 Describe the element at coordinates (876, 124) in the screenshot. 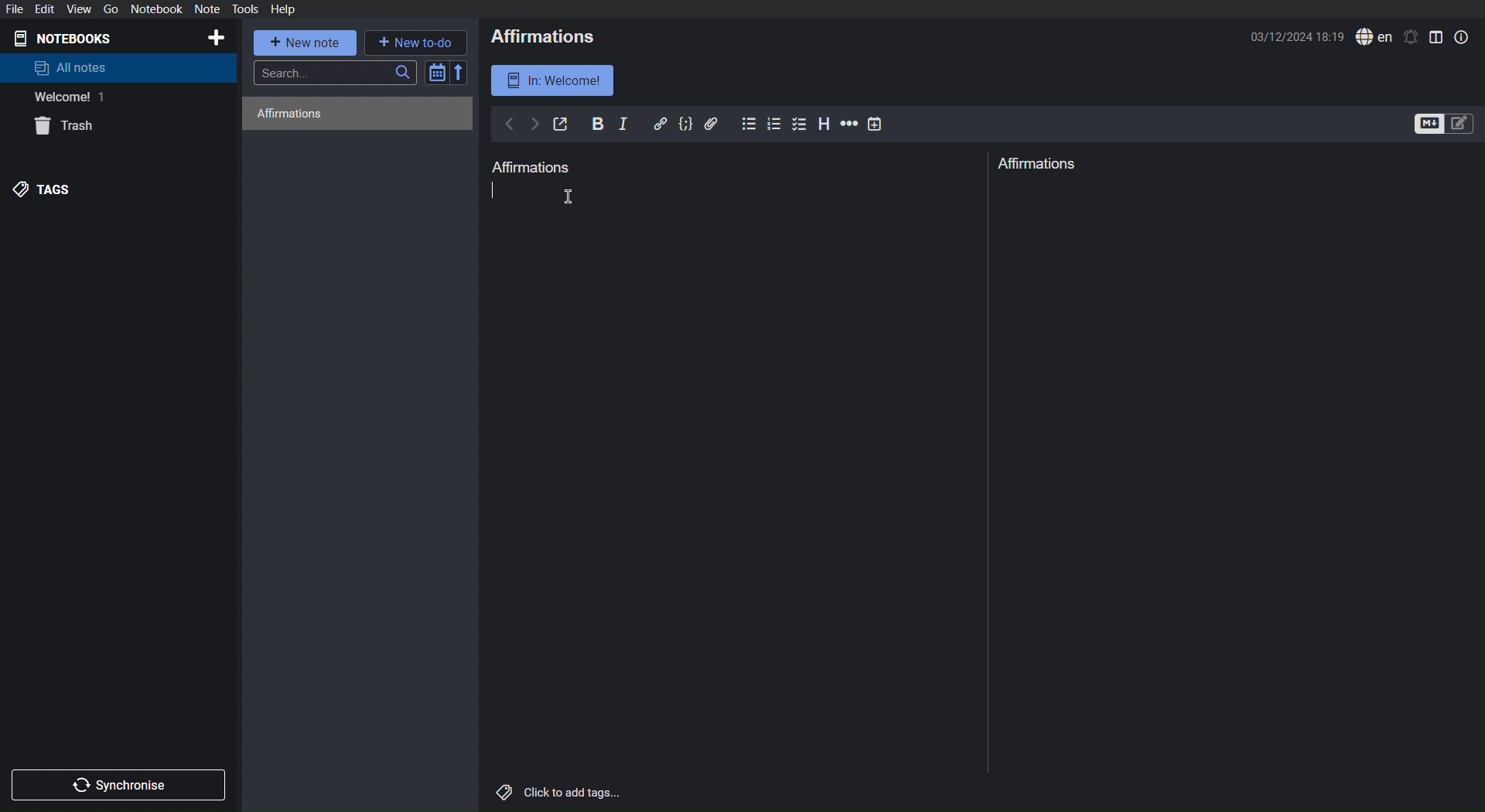

I see `Insert Time` at that location.